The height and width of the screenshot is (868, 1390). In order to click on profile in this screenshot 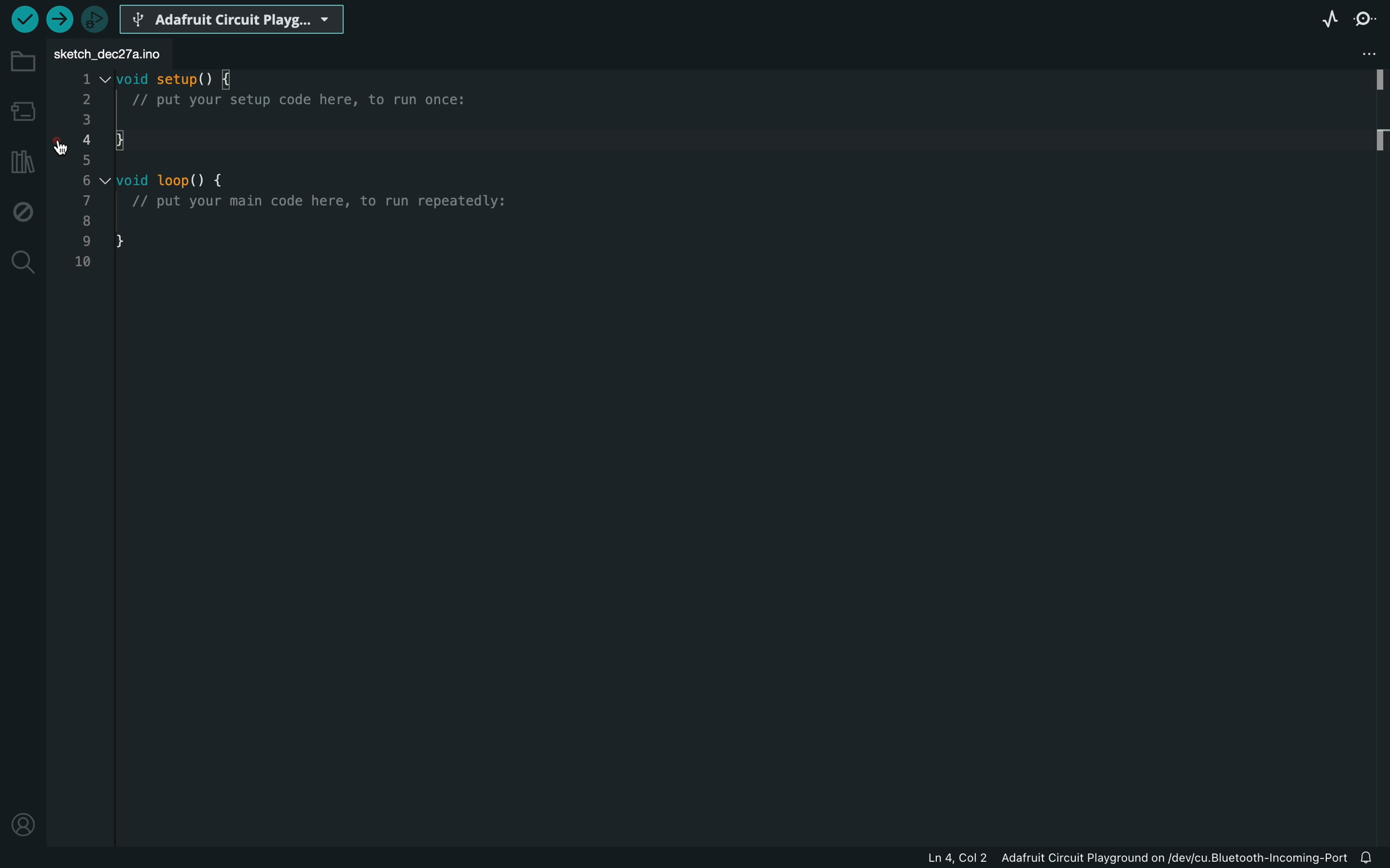, I will do `click(21, 824)`.